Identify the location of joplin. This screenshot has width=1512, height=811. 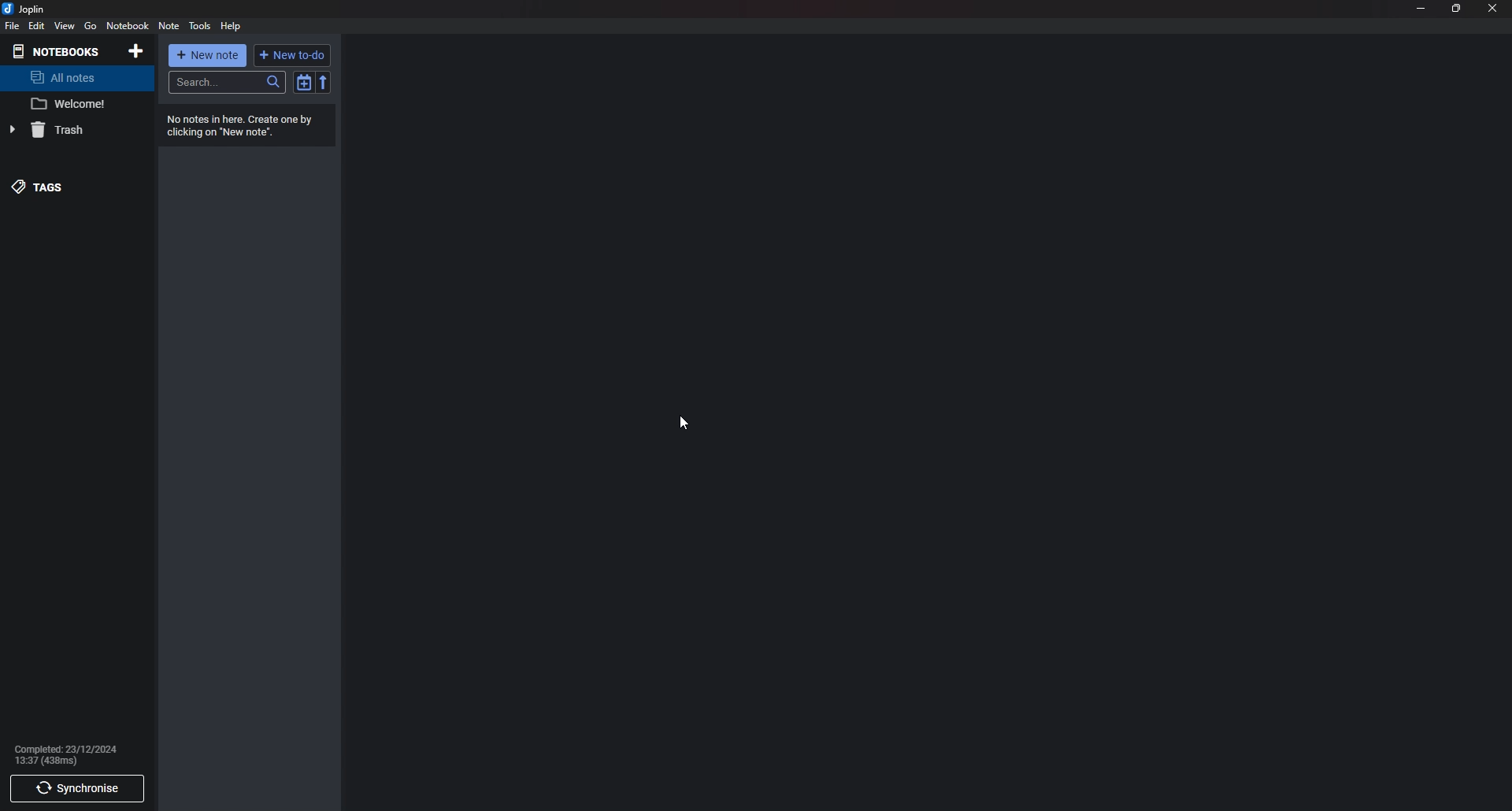
(28, 9).